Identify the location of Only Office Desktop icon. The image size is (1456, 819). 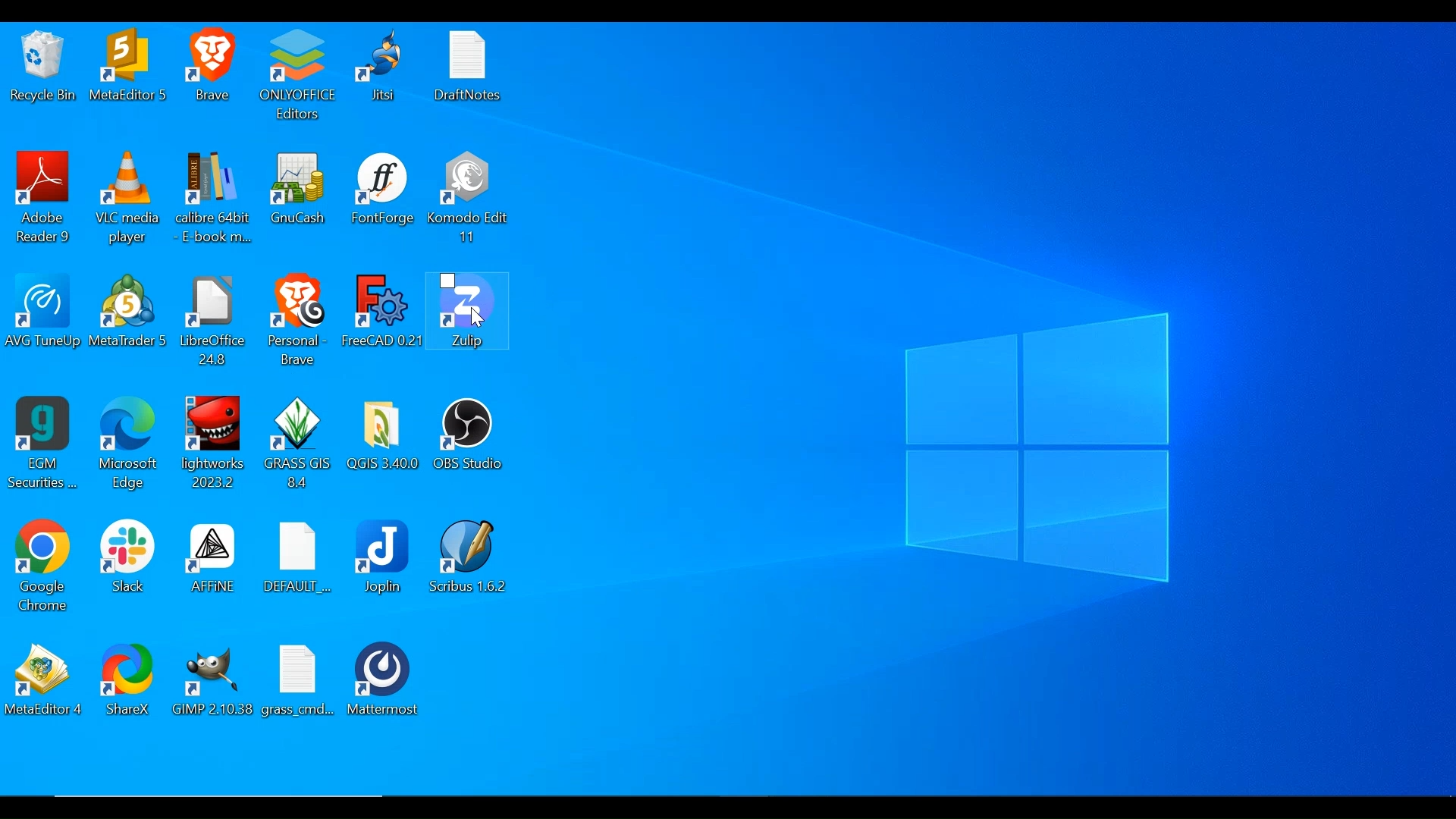
(303, 76).